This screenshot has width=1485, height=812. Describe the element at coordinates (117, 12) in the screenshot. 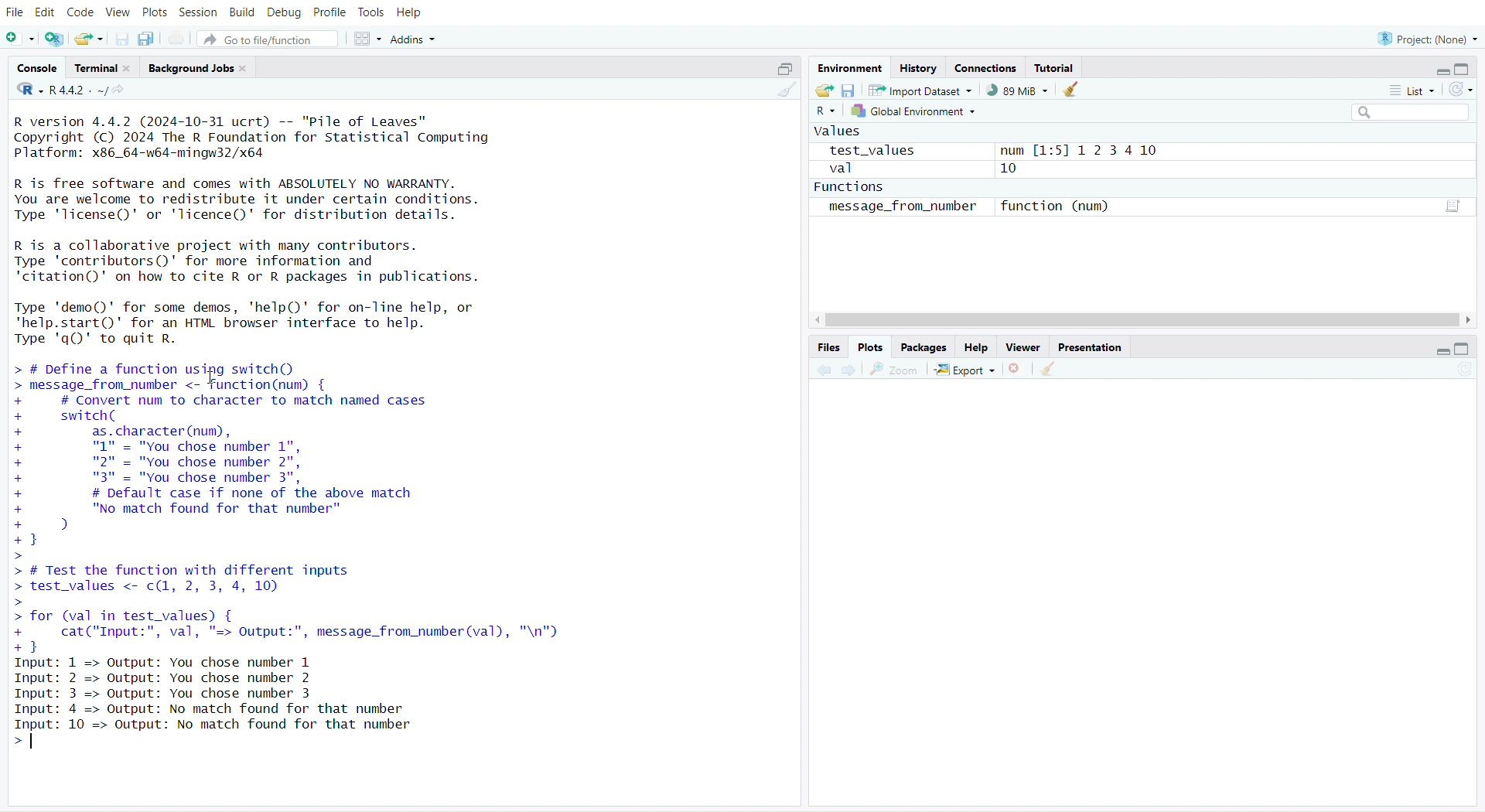

I see `View` at that location.